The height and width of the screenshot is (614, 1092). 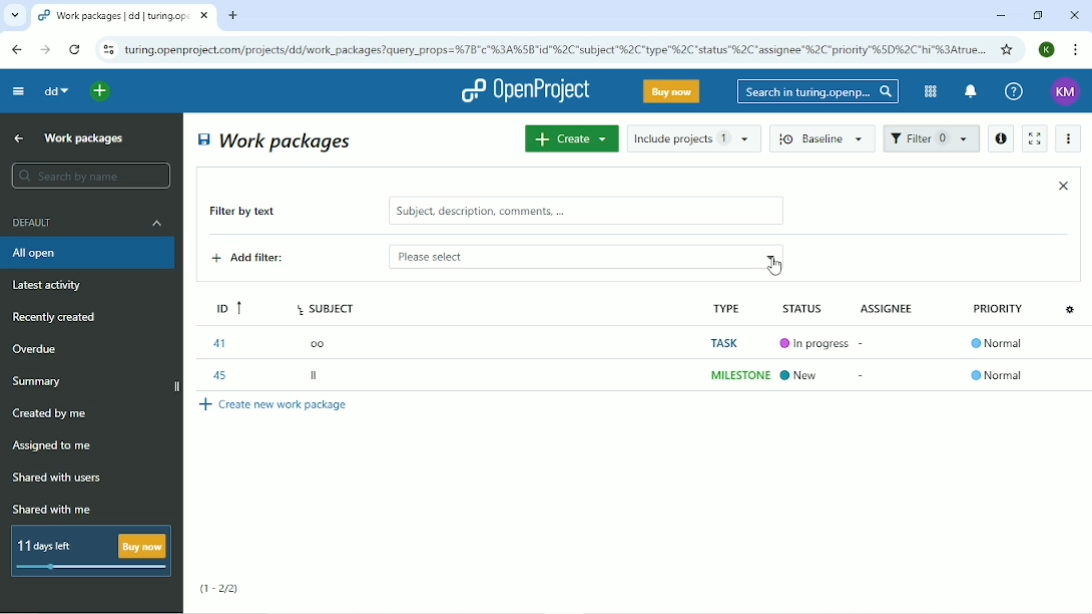 I want to click on New, so click(x=808, y=373).